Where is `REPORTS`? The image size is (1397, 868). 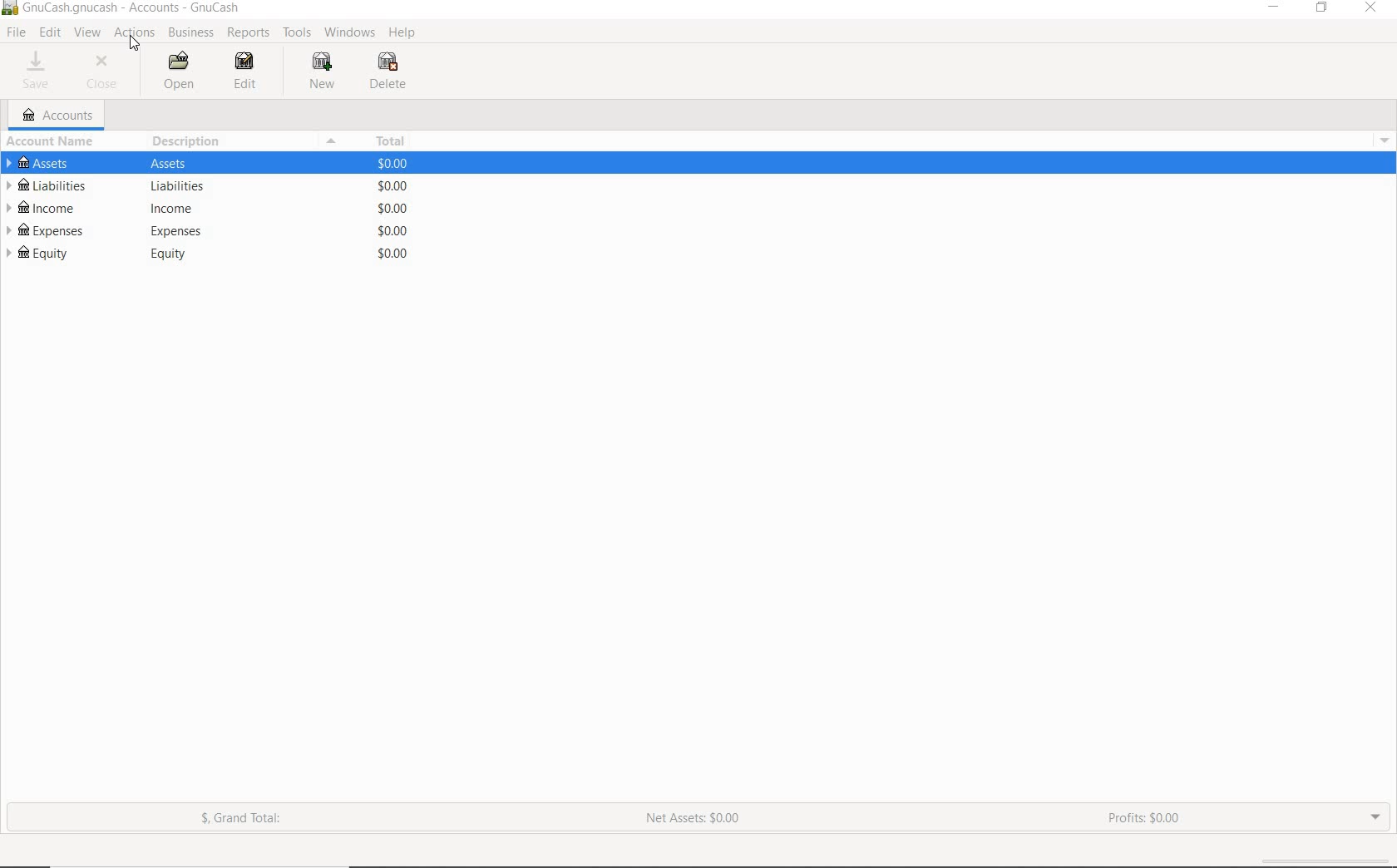
REPORTS is located at coordinates (249, 32).